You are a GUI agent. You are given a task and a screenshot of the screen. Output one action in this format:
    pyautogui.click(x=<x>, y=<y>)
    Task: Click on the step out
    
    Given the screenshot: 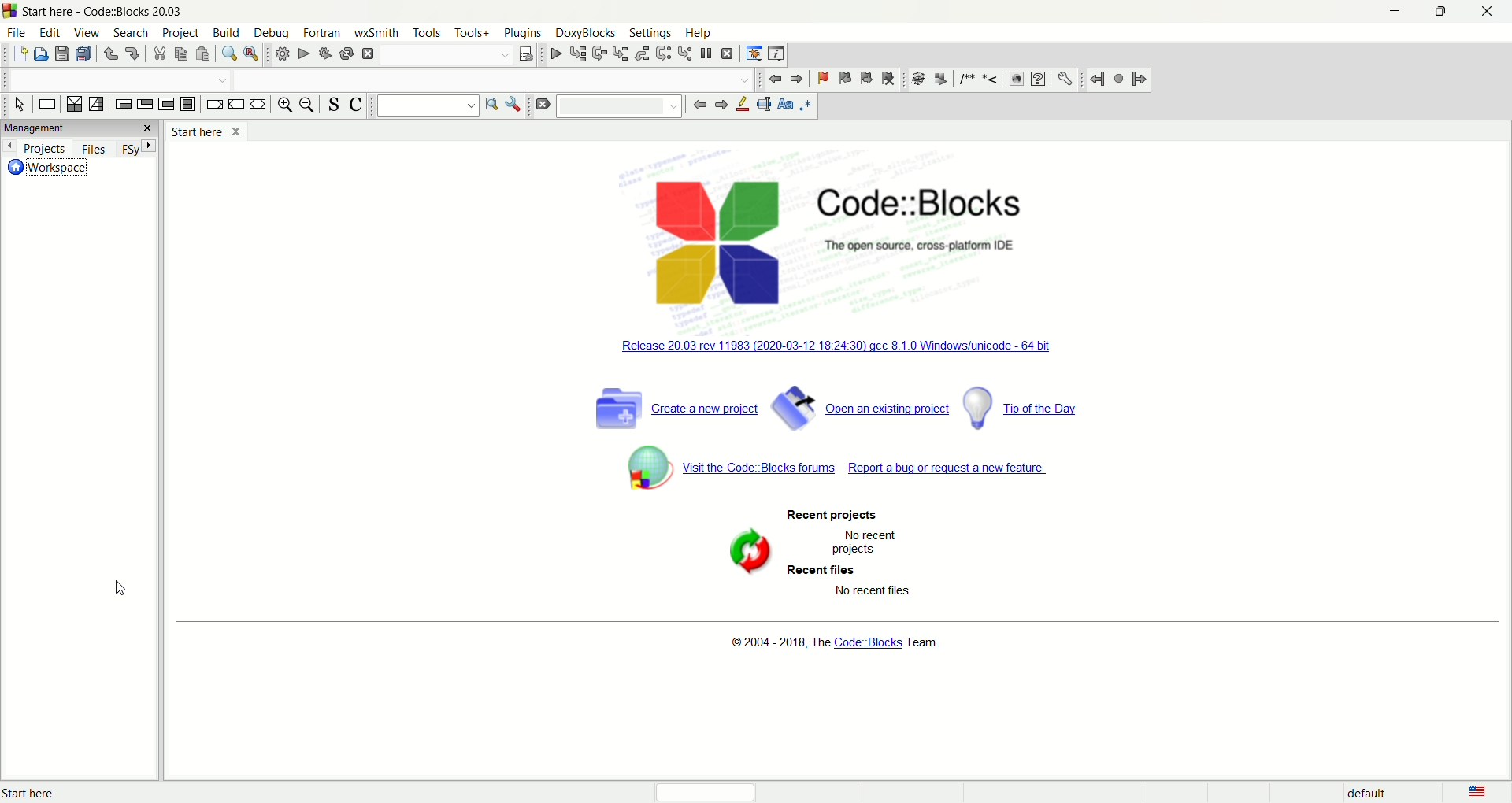 What is the action you would take?
    pyautogui.click(x=643, y=54)
    